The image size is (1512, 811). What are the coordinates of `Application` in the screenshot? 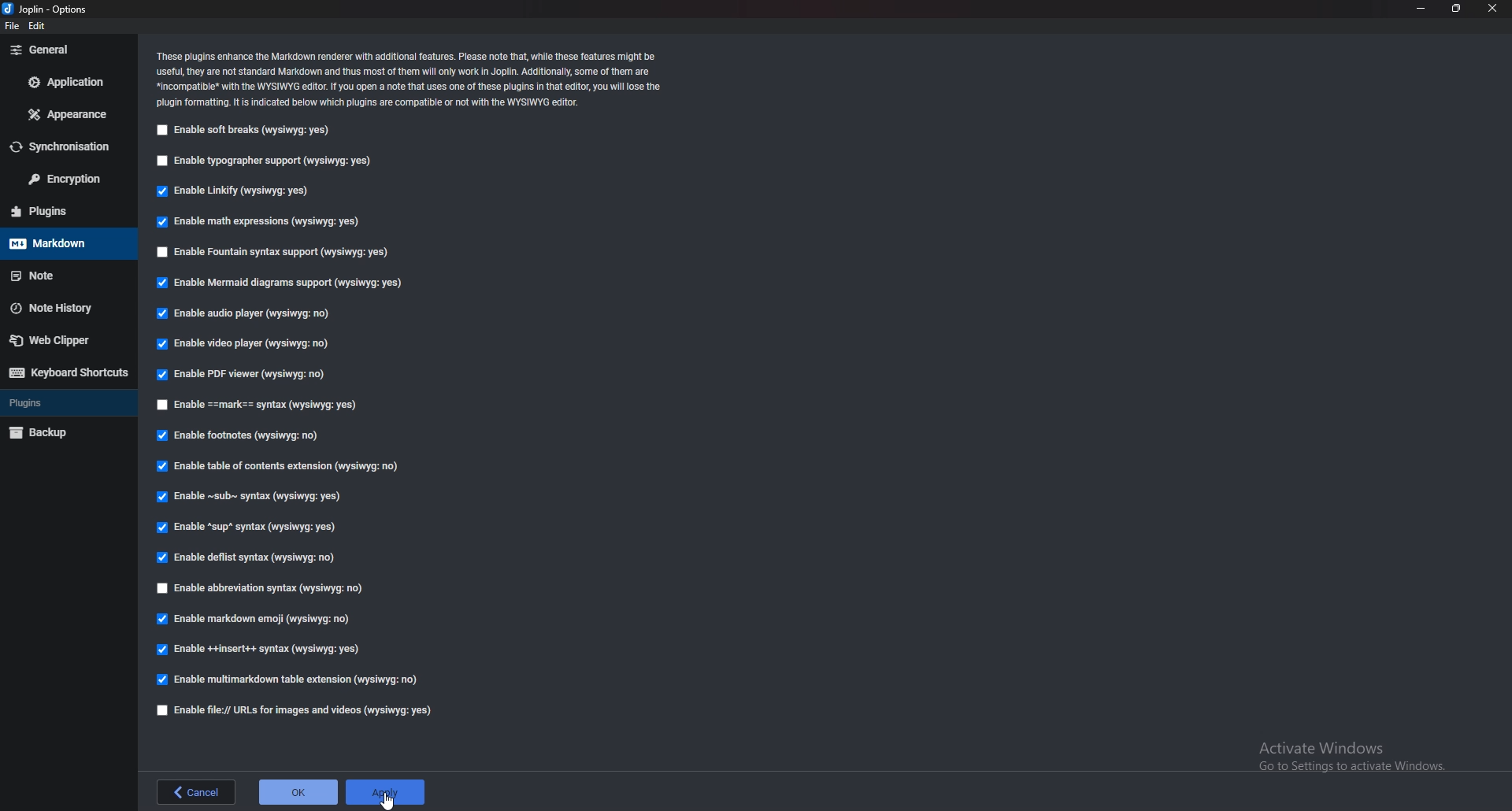 It's located at (65, 83).